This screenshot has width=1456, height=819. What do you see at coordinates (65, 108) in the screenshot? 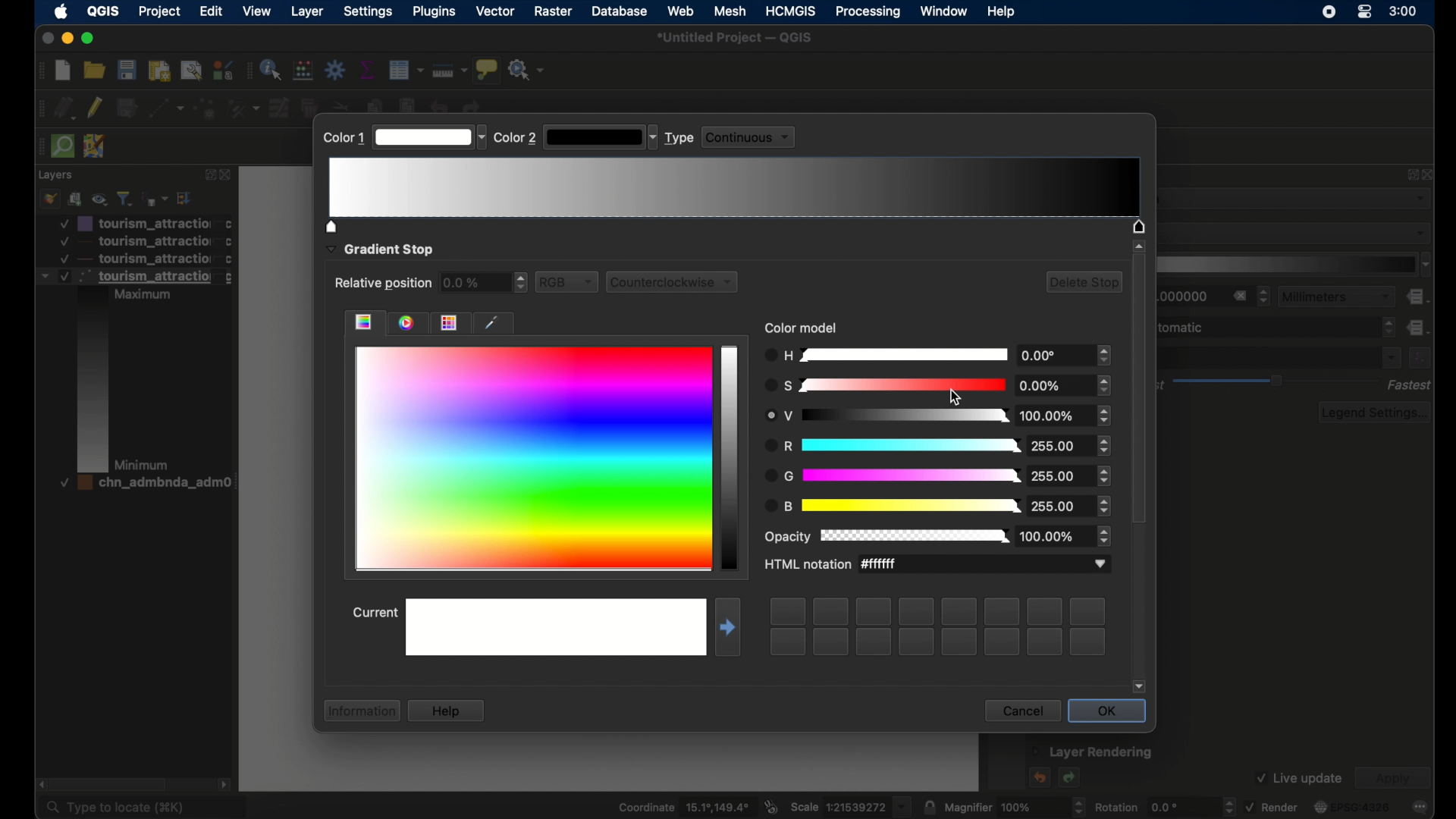
I see `current edits` at bounding box center [65, 108].